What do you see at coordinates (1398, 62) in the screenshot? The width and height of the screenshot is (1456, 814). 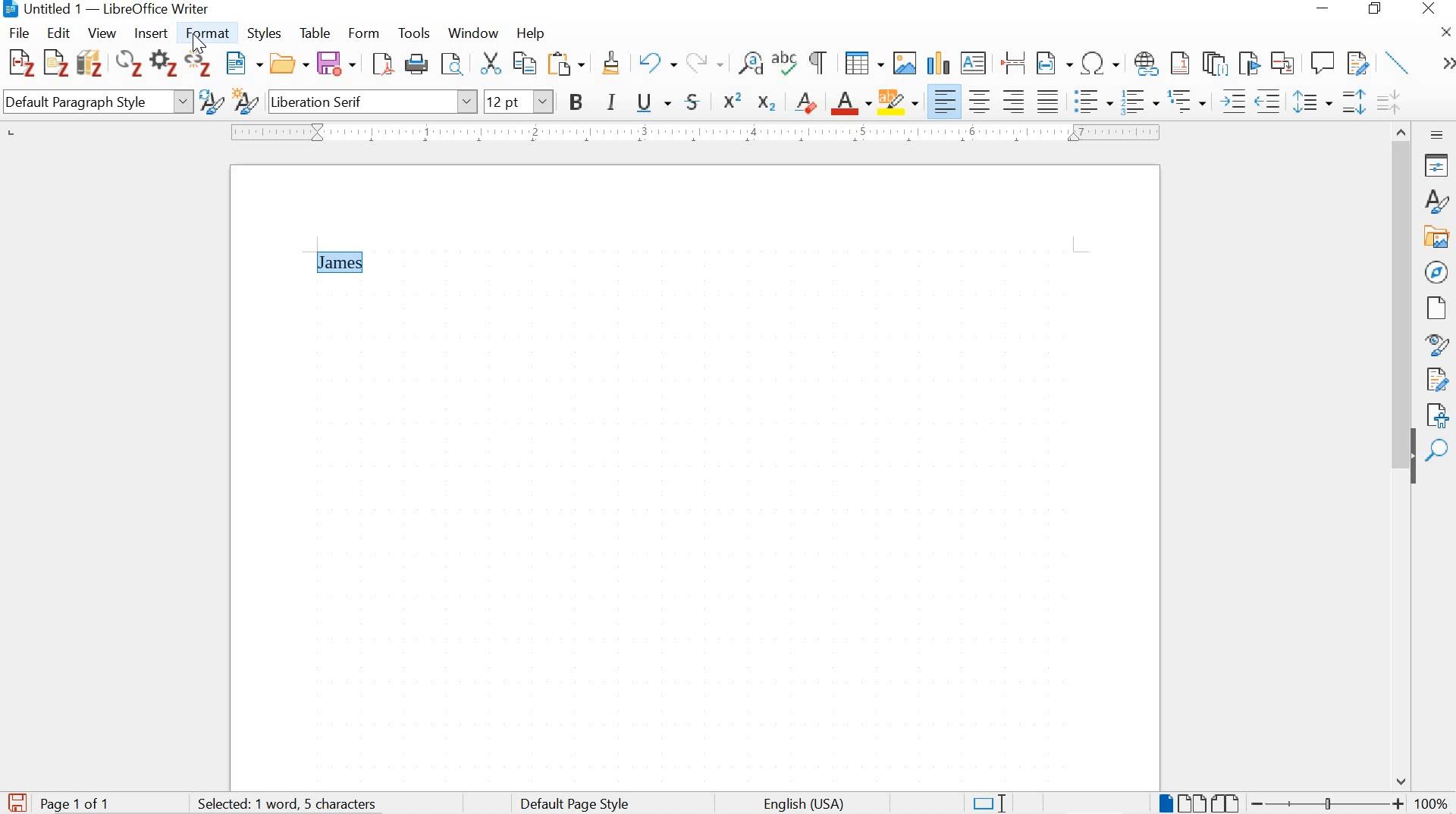 I see `insert line` at bounding box center [1398, 62].